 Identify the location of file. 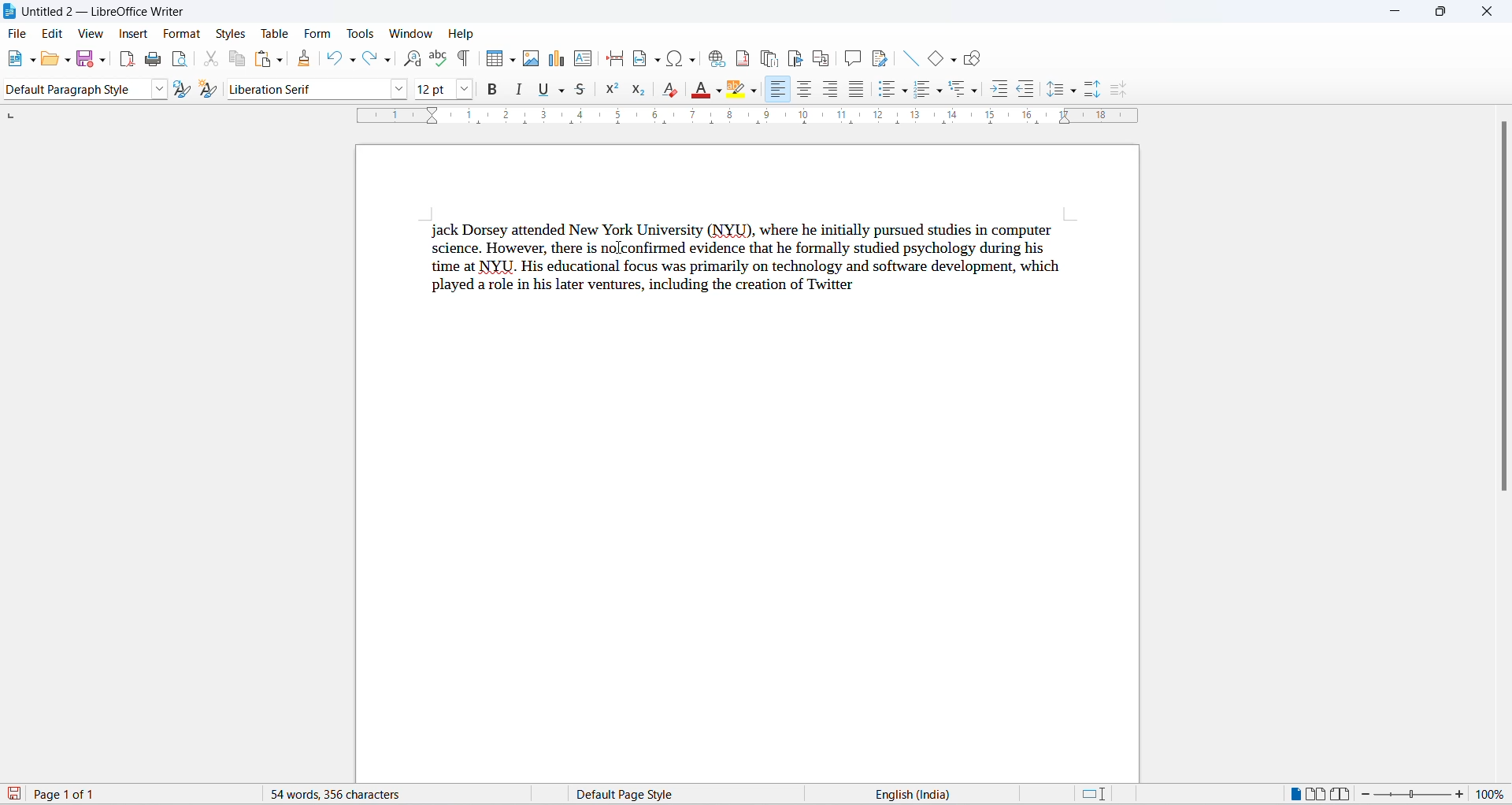
(20, 35).